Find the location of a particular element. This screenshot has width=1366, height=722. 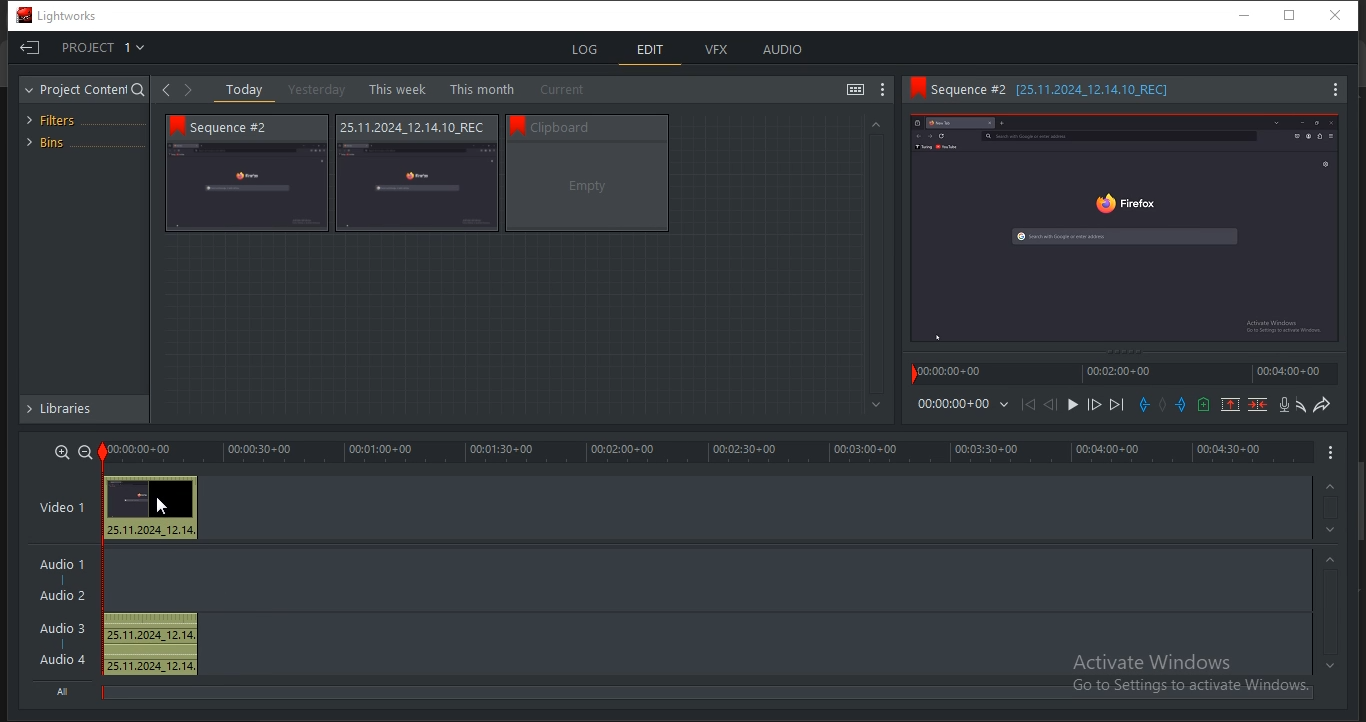

filters is located at coordinates (60, 118).